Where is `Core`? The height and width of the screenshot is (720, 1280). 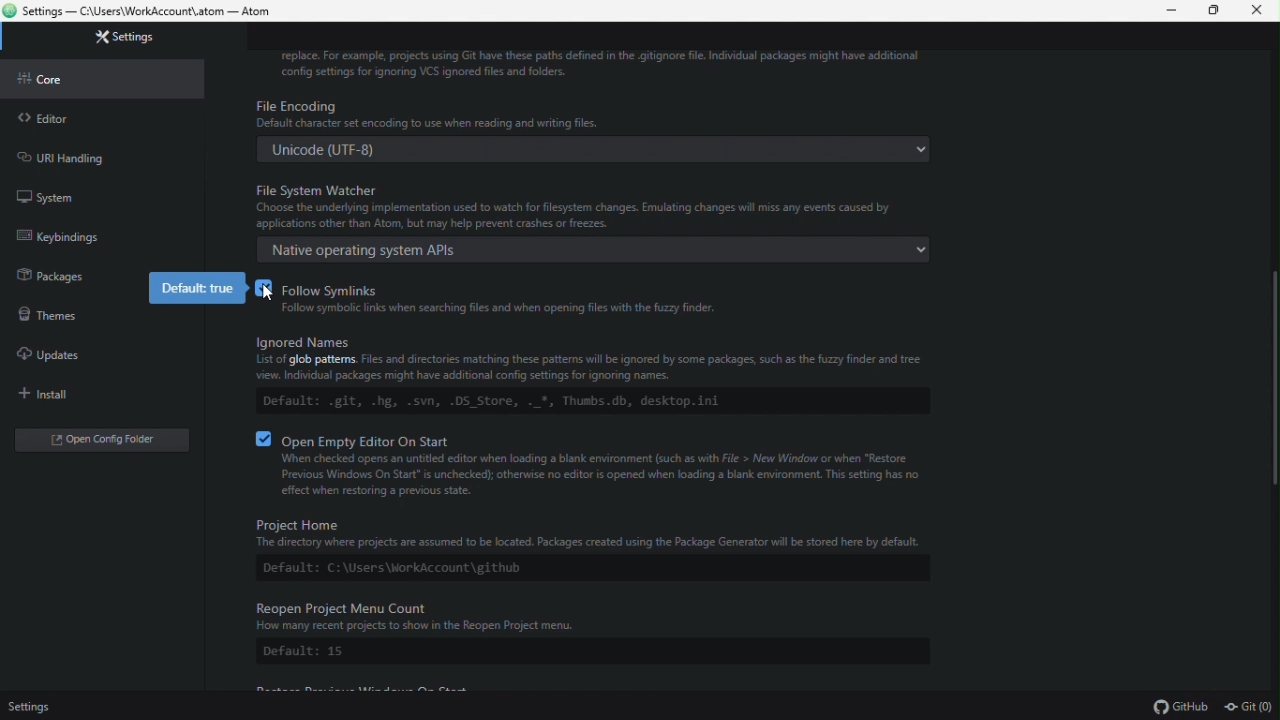
Core is located at coordinates (103, 78).